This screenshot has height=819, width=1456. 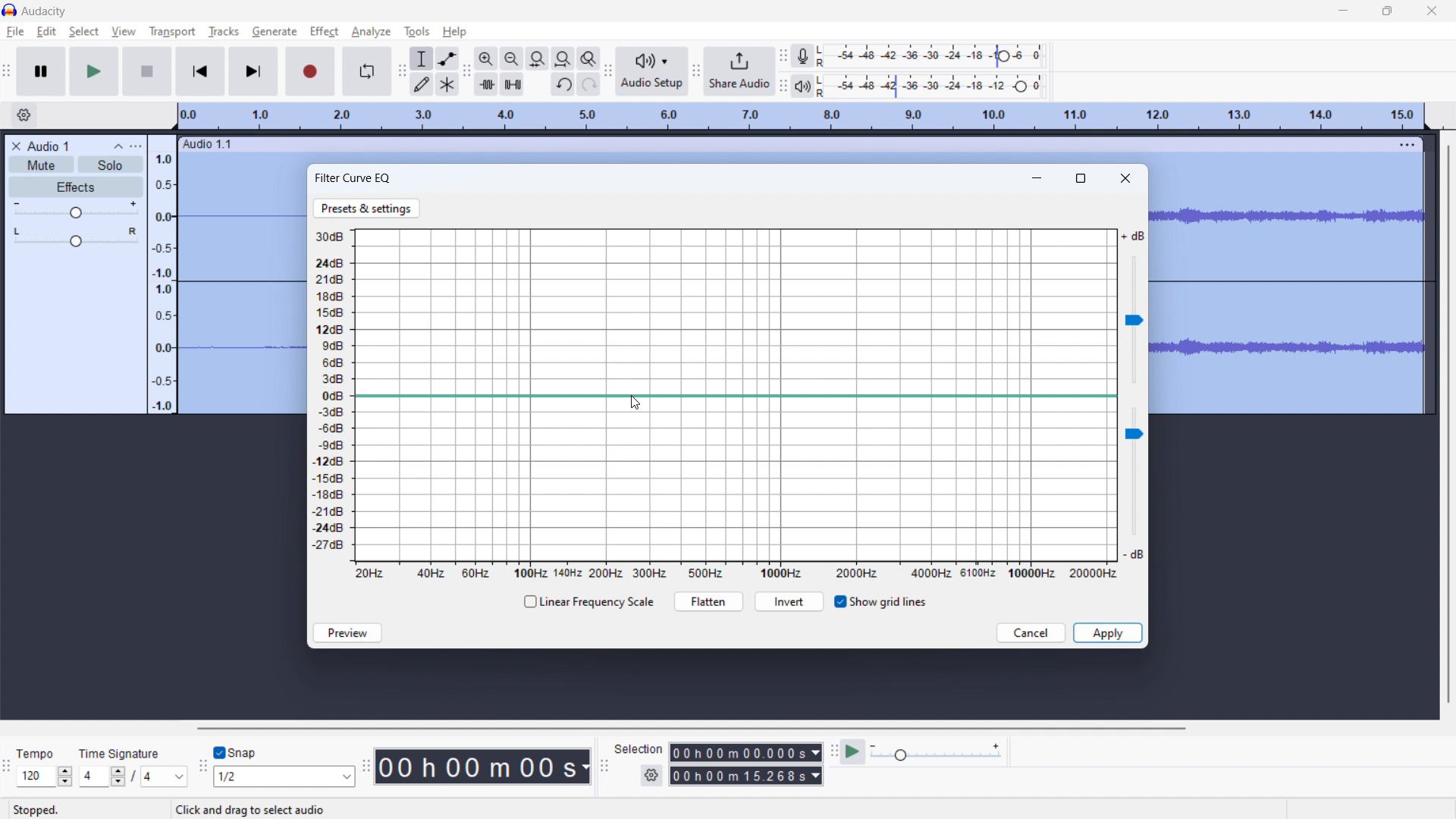 What do you see at coordinates (77, 210) in the screenshot?
I see `volume` at bounding box center [77, 210].